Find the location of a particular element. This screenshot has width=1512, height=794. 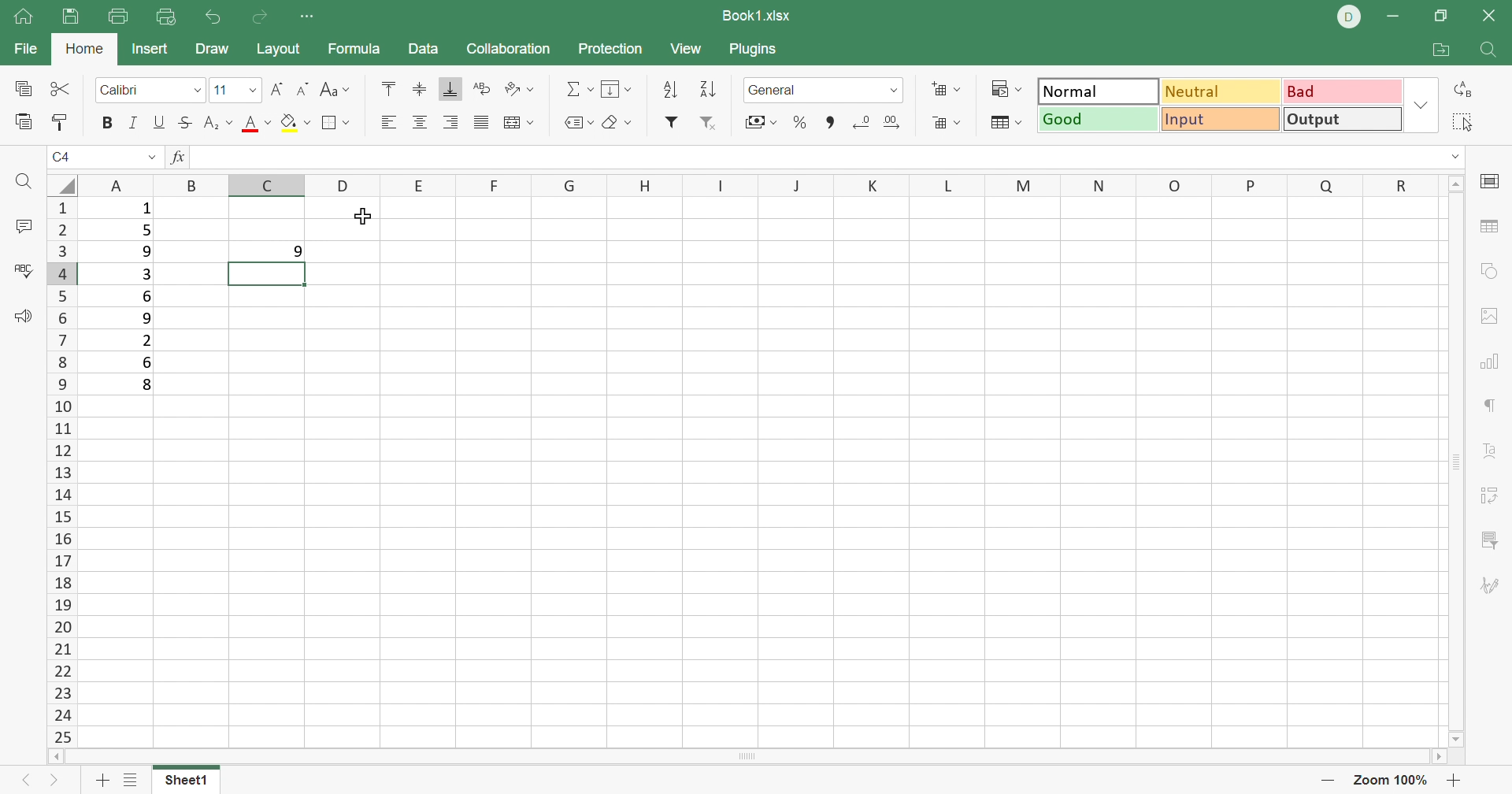

Merge and center is located at coordinates (518, 124).